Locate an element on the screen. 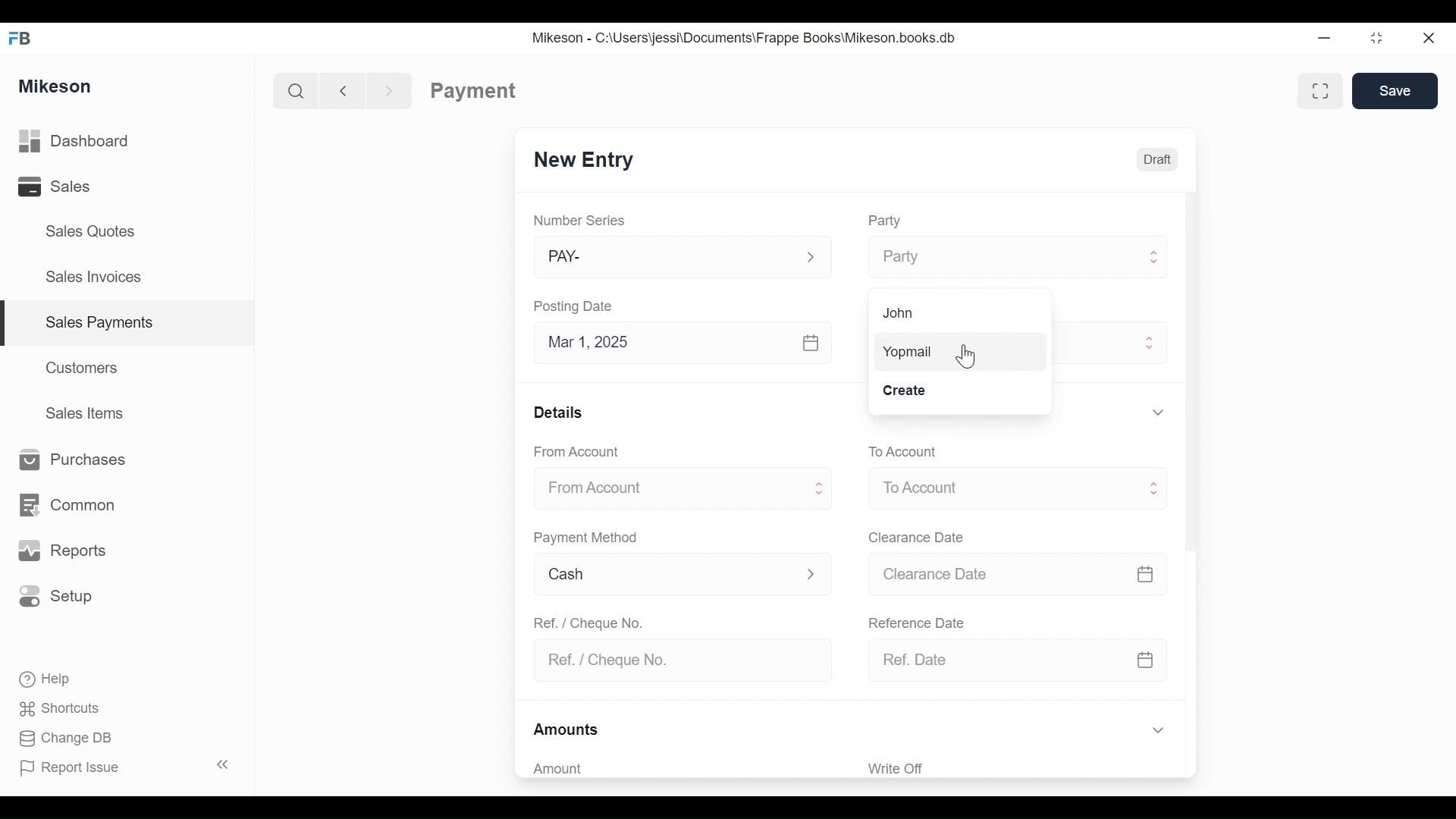  Ref. / Cheque No. is located at coordinates (687, 660).